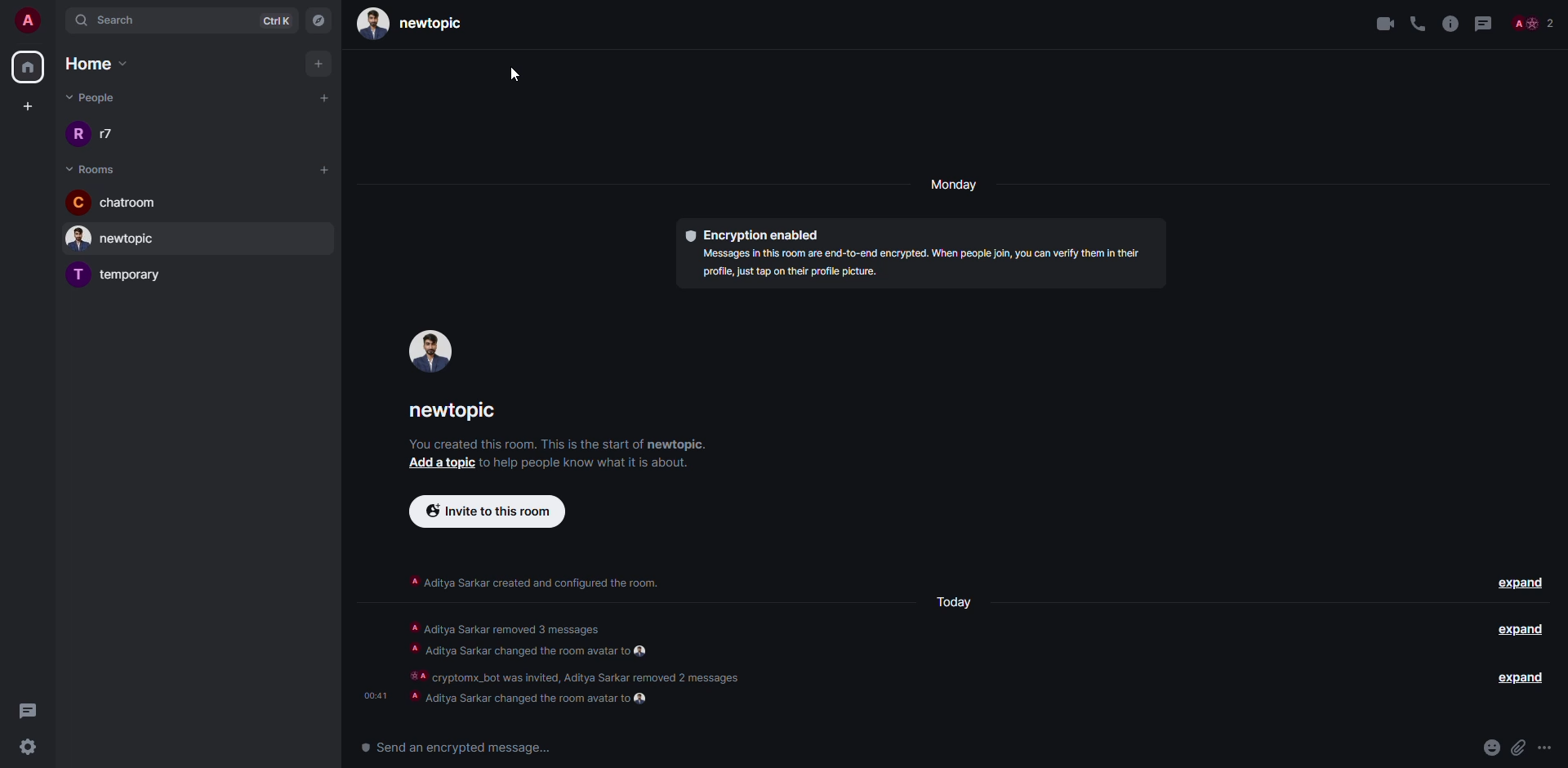 The image size is (1568, 768). What do you see at coordinates (372, 694) in the screenshot?
I see `time` at bounding box center [372, 694].